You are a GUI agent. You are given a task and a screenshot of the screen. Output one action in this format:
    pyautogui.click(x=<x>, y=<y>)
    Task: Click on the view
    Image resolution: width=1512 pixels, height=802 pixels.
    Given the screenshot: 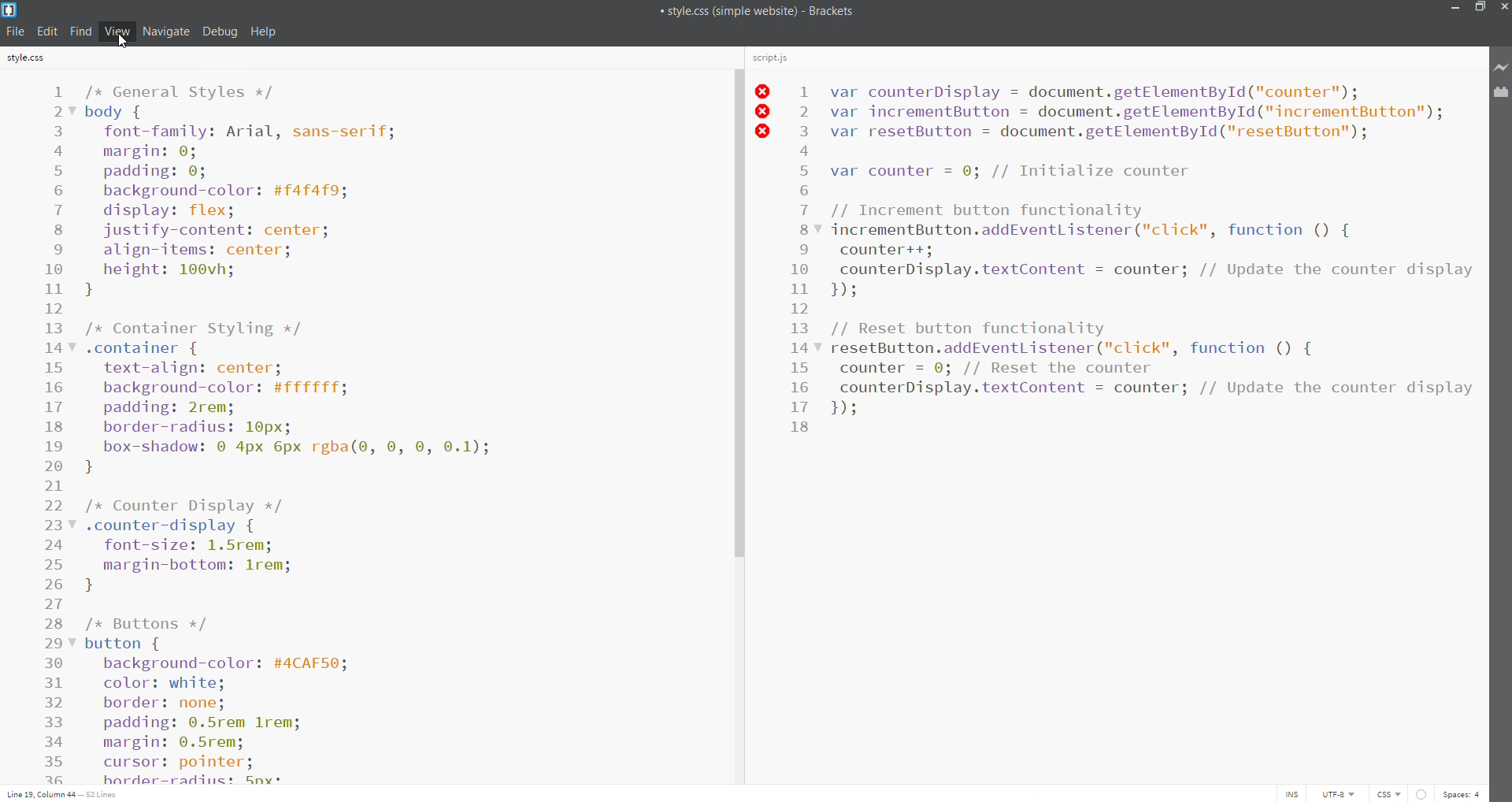 What is the action you would take?
    pyautogui.click(x=113, y=30)
    